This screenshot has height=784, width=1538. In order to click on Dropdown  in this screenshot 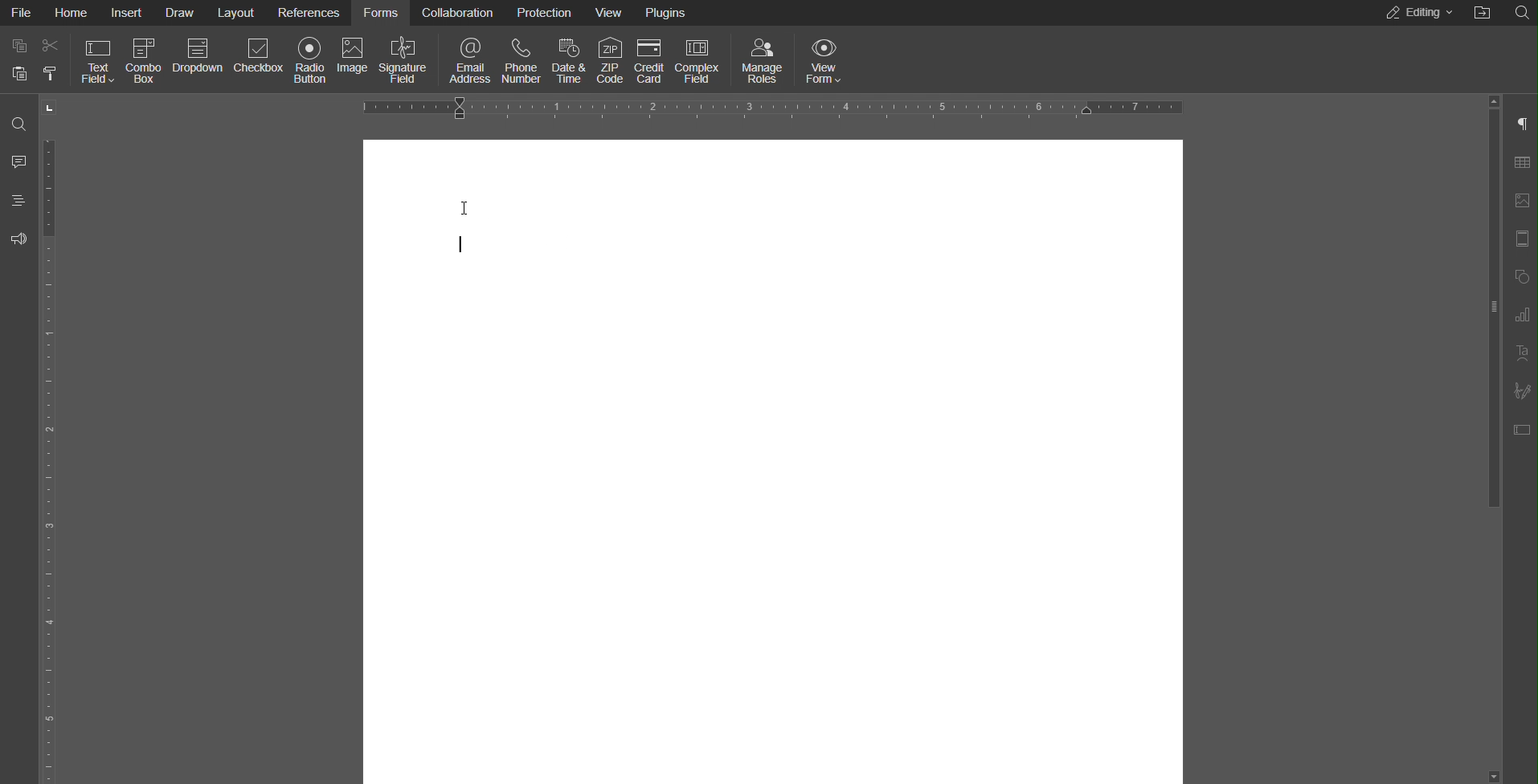, I will do `click(198, 59)`.